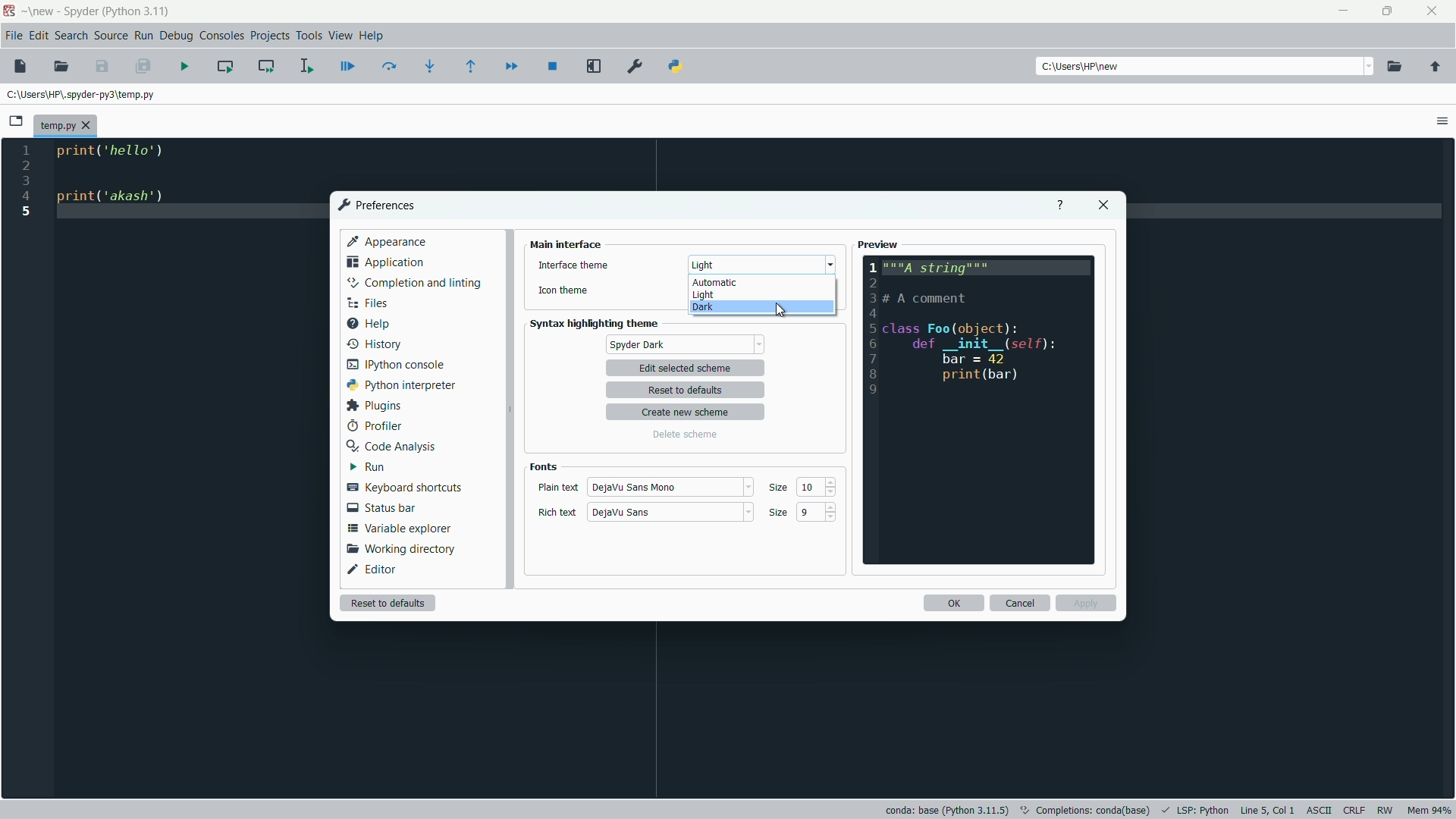  Describe the element at coordinates (676, 67) in the screenshot. I see `python path manager` at that location.